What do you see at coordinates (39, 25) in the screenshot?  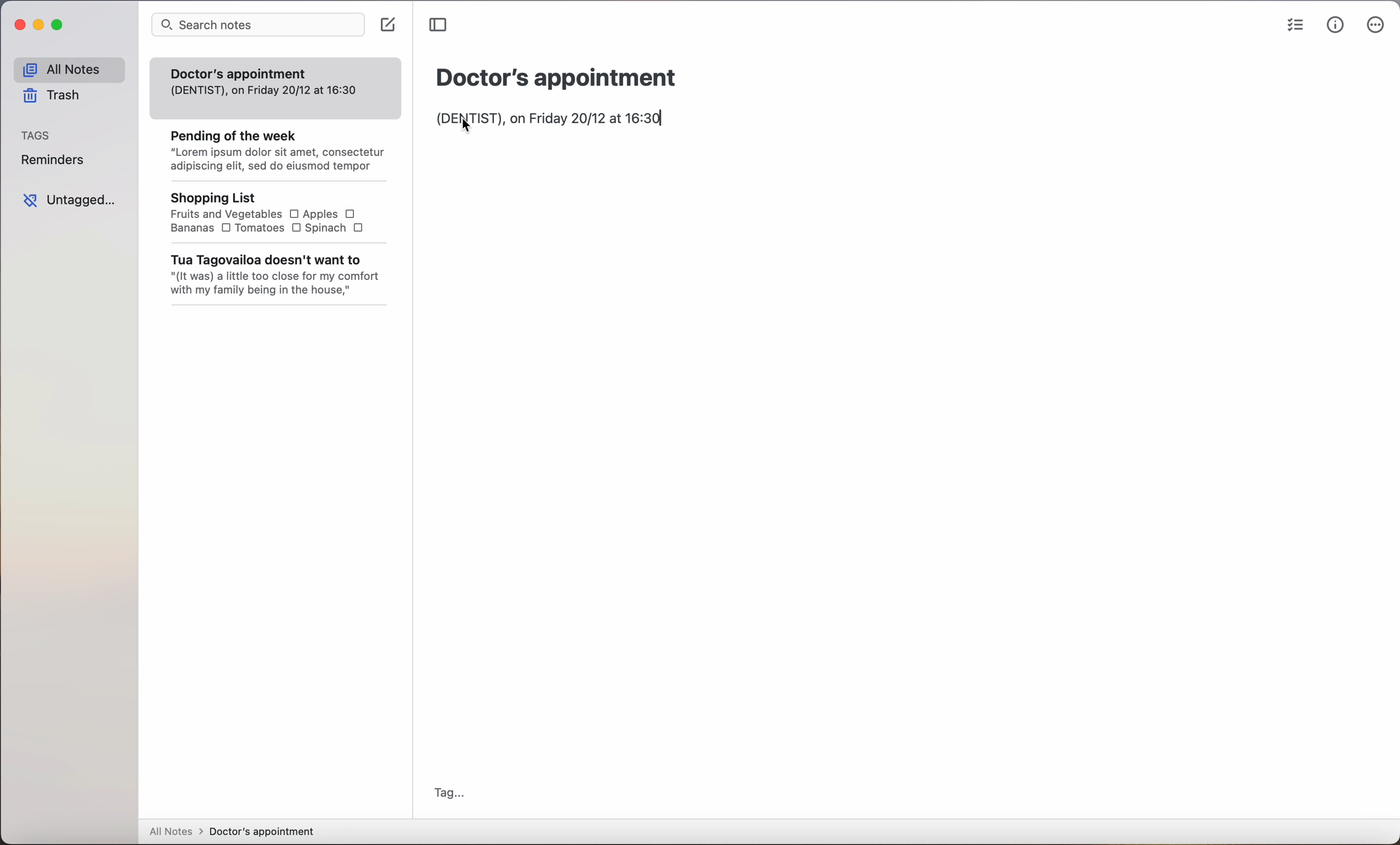 I see `minimize` at bounding box center [39, 25].